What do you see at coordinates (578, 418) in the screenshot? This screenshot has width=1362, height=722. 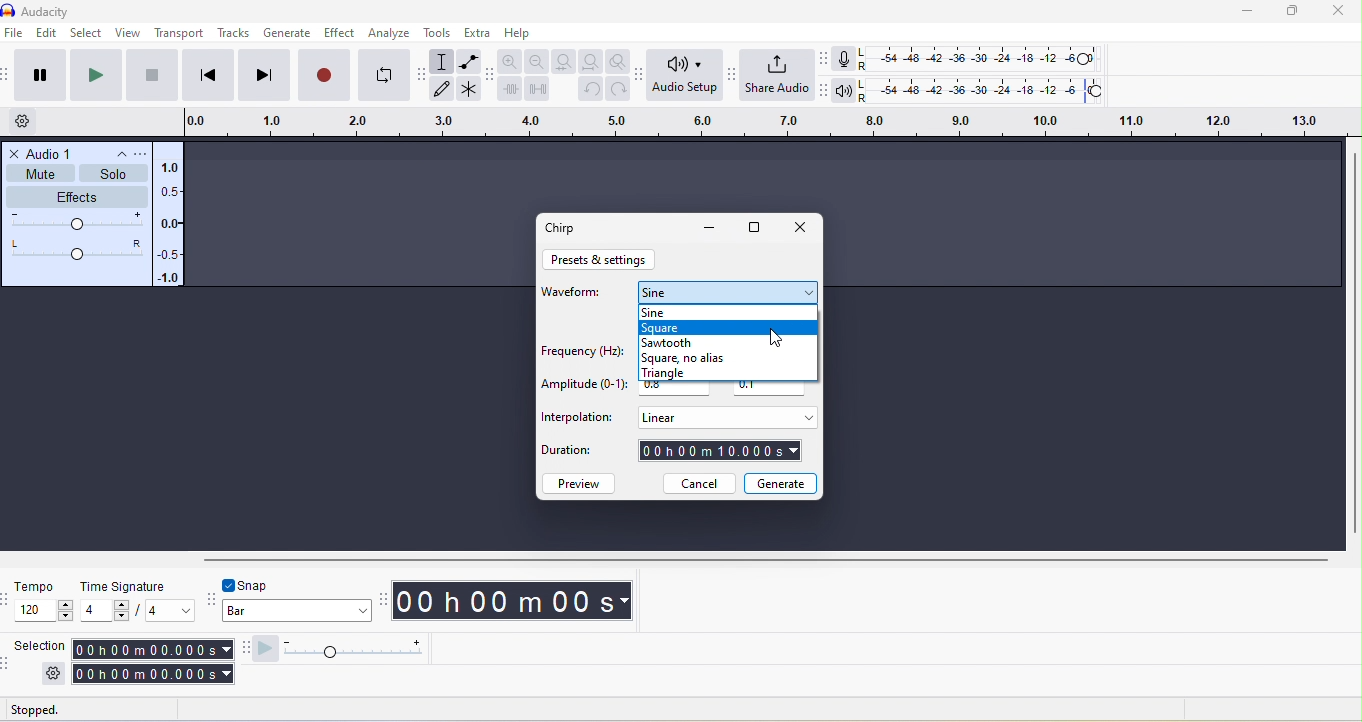 I see `interpolation:` at bounding box center [578, 418].